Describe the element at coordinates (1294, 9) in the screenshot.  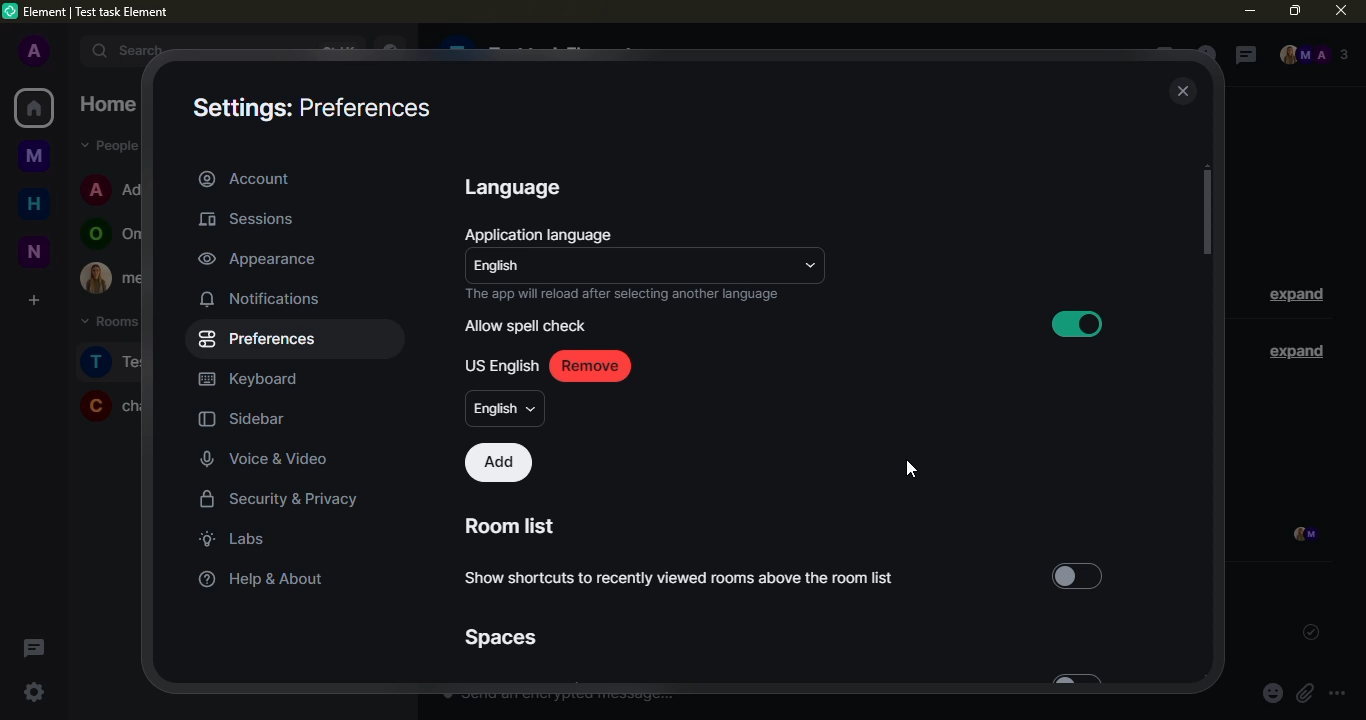
I see `maximize` at that location.